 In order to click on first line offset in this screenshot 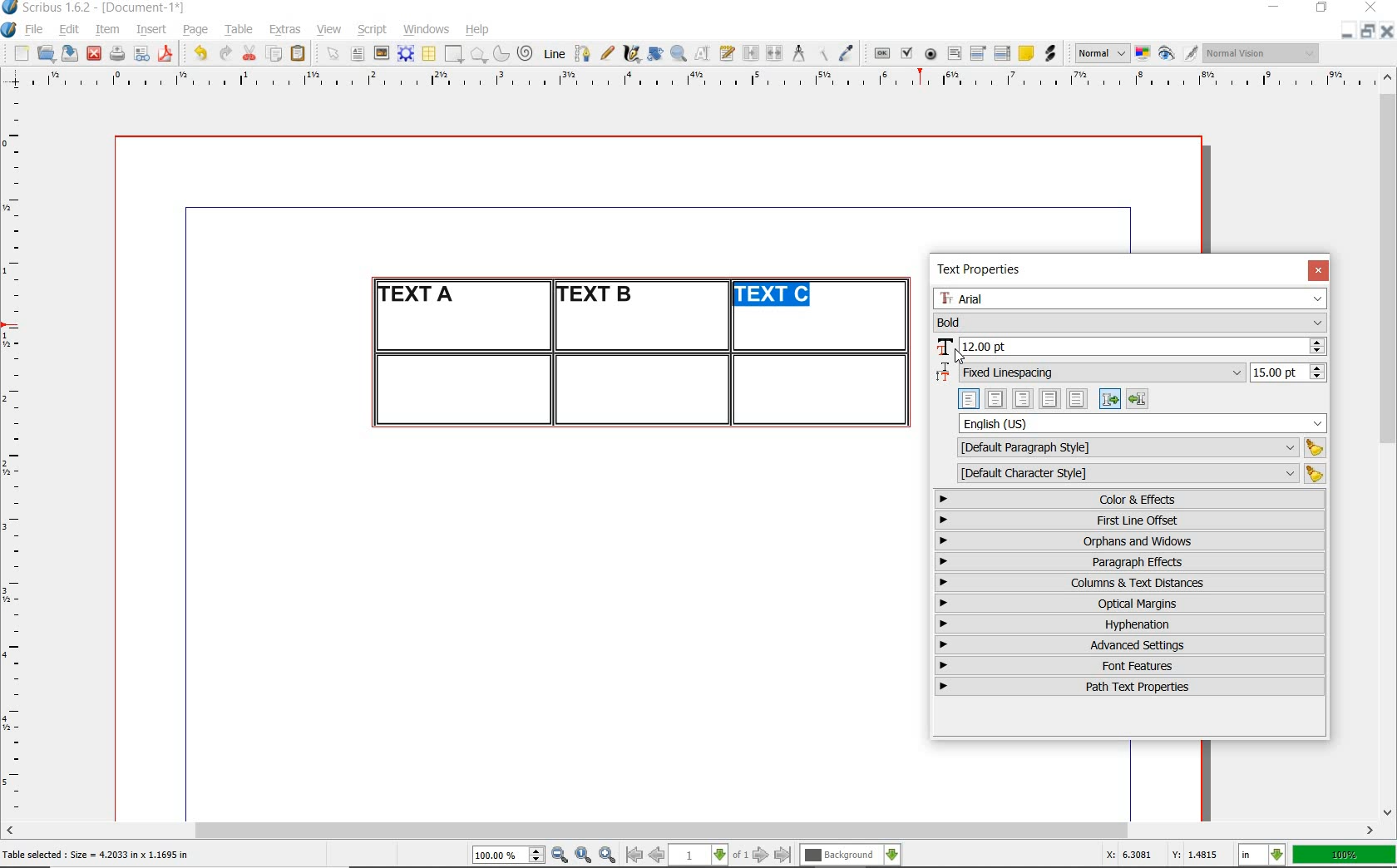, I will do `click(1131, 520)`.